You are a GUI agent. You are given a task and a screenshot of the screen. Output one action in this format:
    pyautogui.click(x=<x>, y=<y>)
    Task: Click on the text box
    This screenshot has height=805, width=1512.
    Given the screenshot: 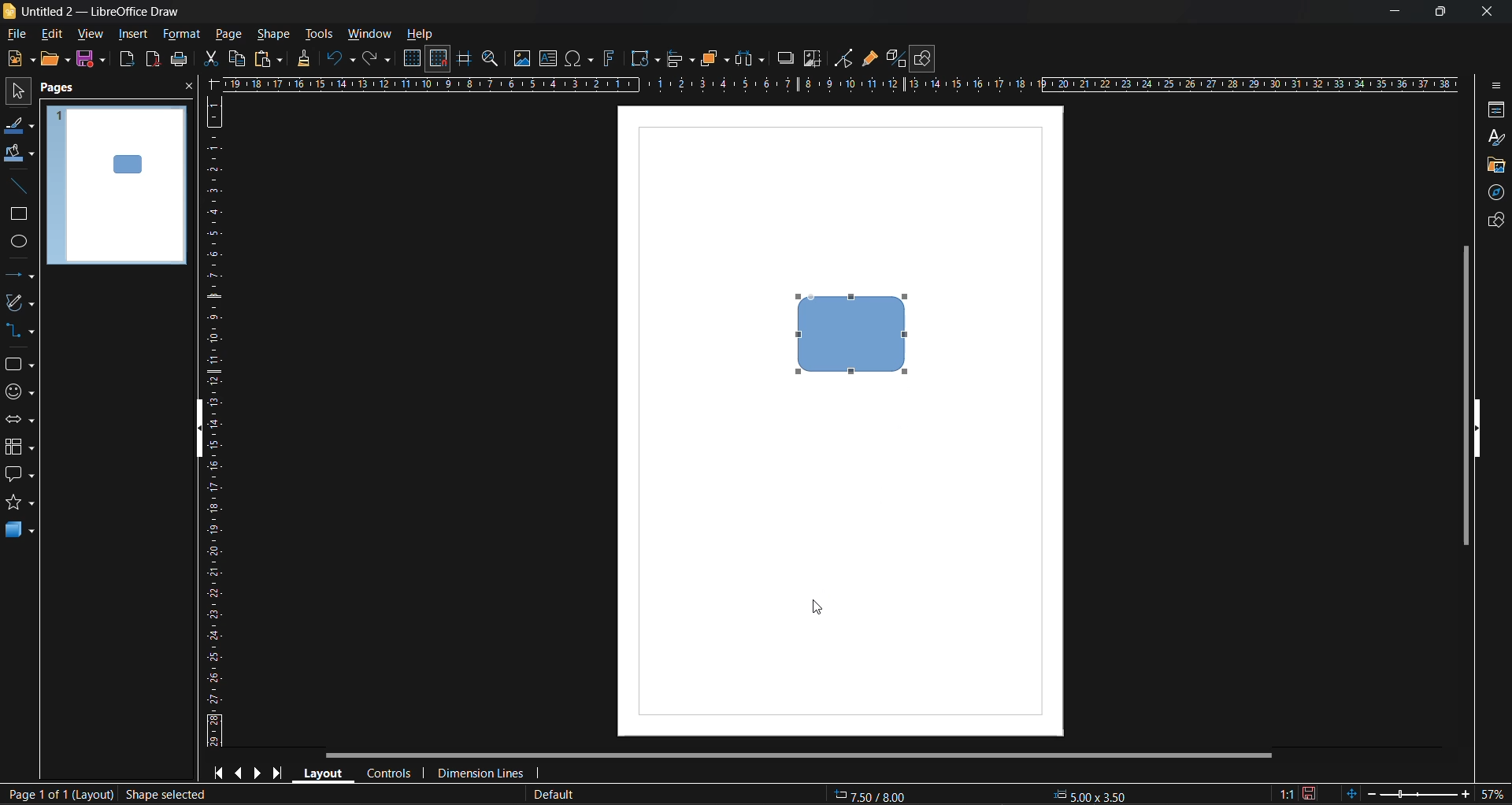 What is the action you would take?
    pyautogui.click(x=551, y=58)
    